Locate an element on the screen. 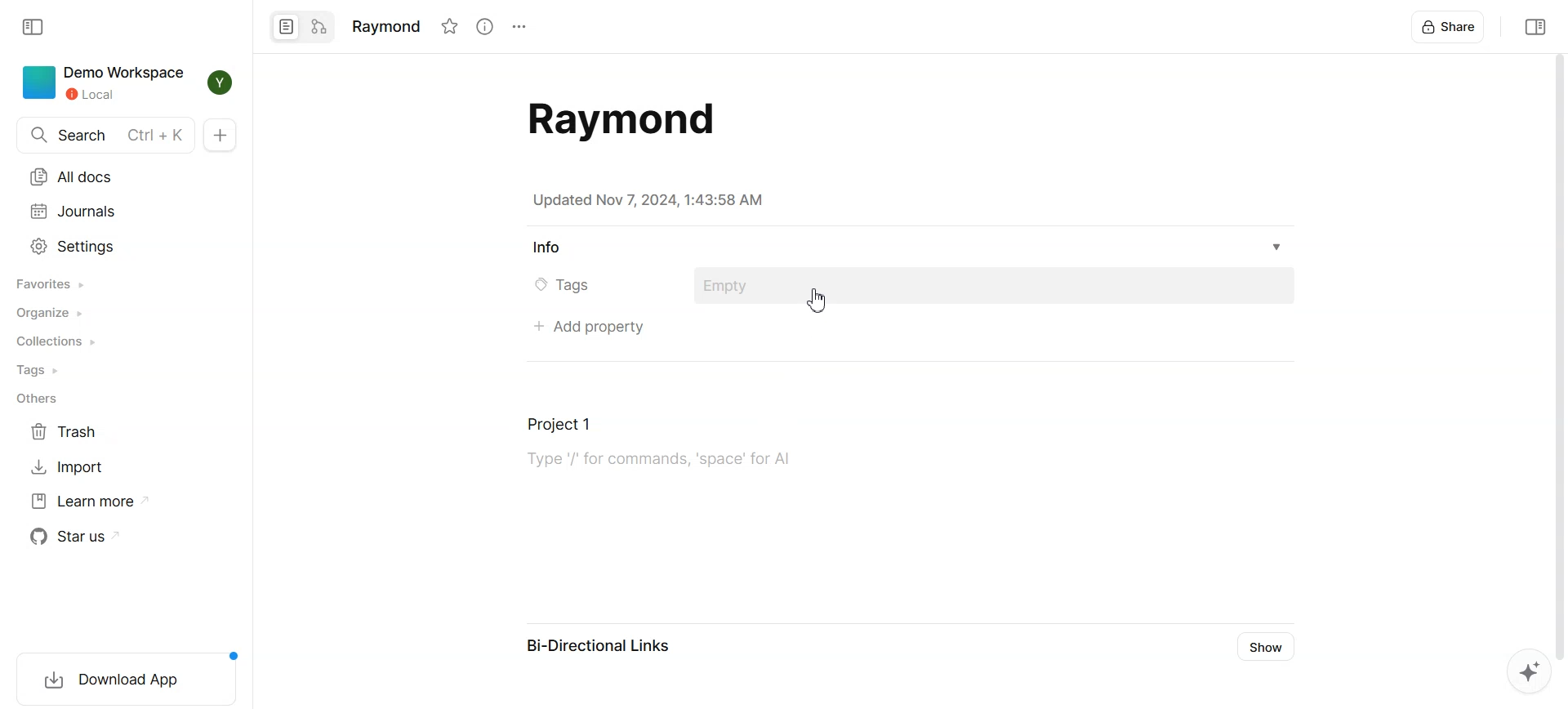  Page is located at coordinates (285, 25).